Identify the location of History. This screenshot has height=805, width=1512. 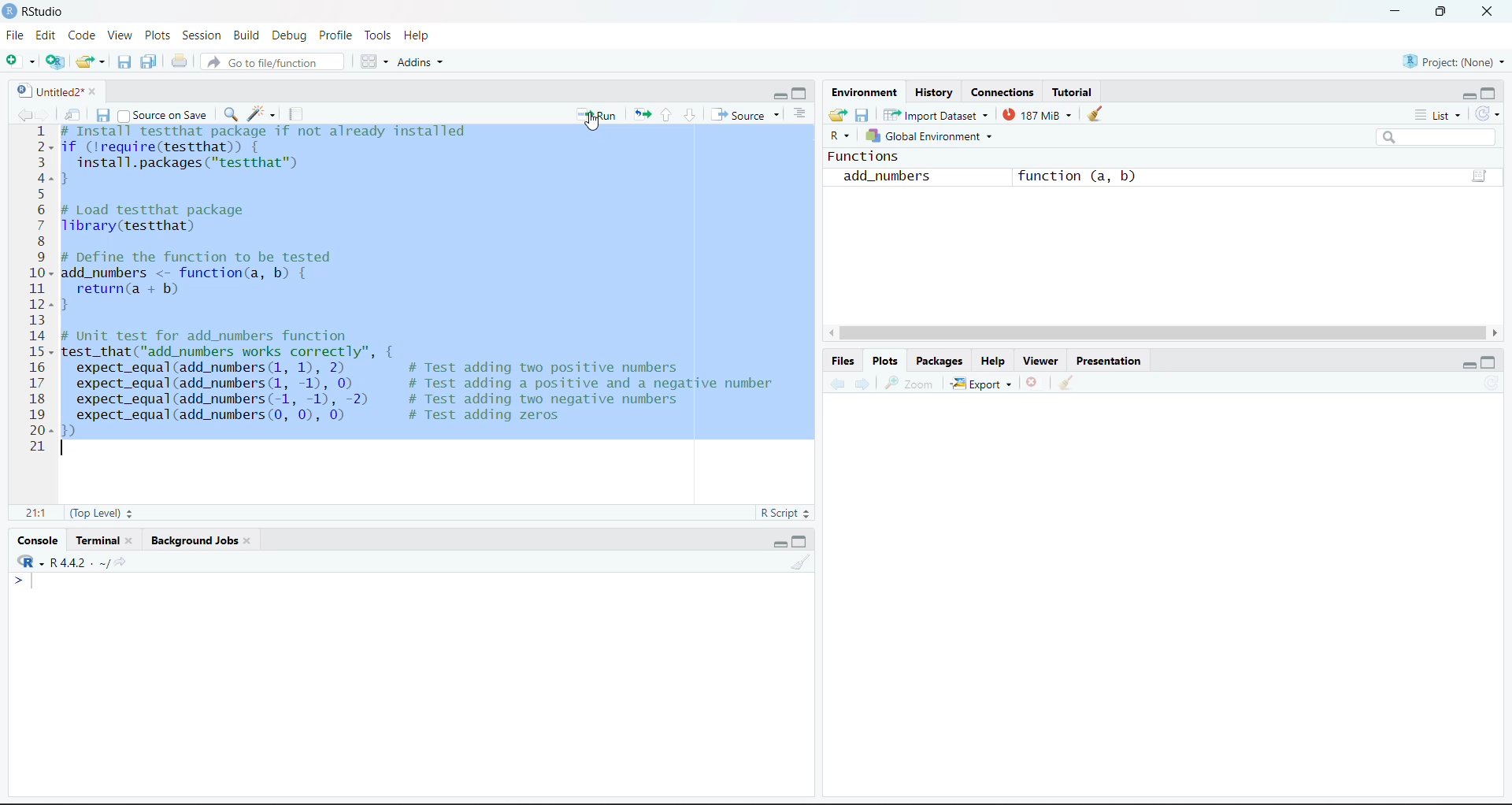
(931, 91).